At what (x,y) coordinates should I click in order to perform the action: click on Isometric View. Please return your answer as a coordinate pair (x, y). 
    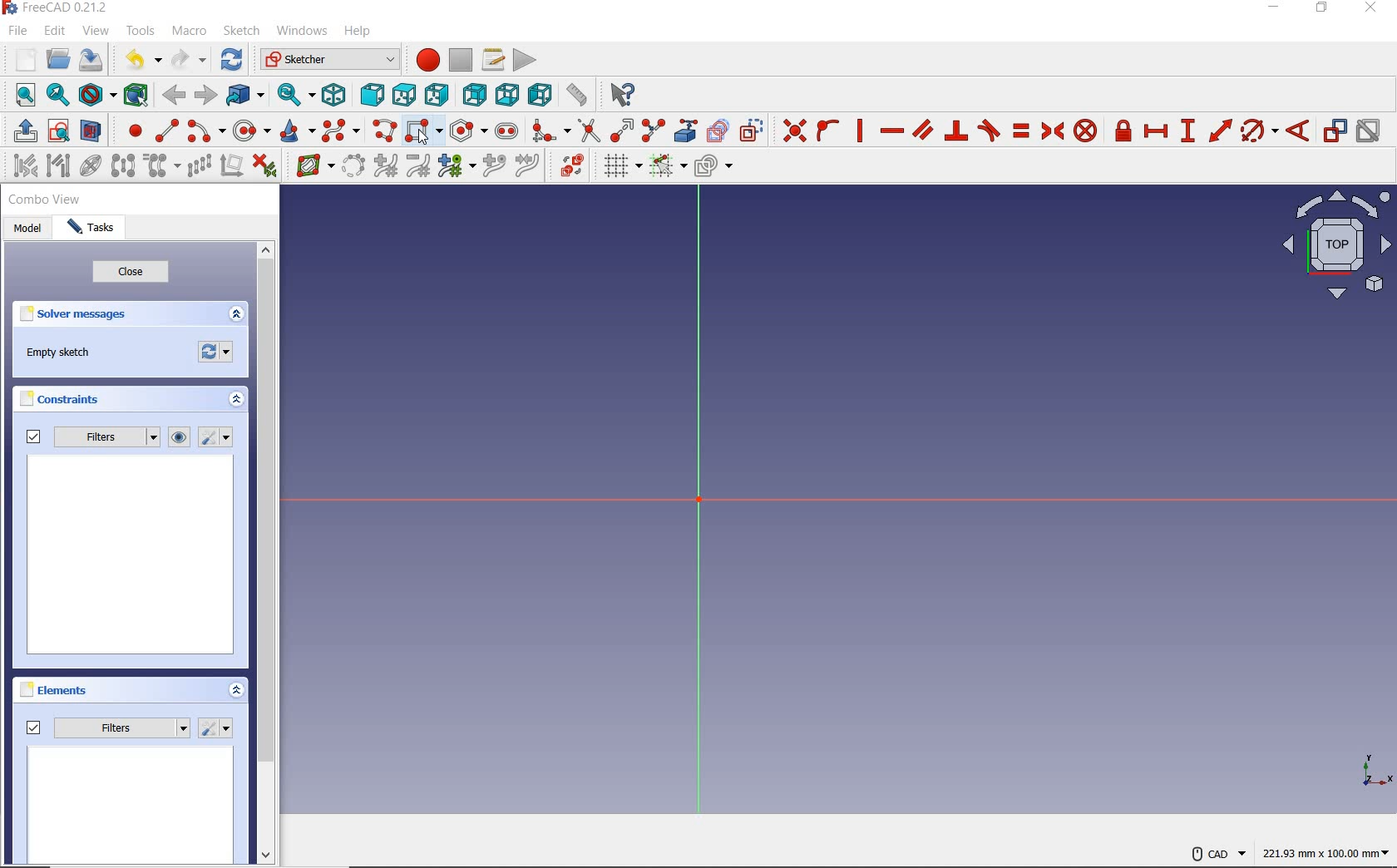
    Looking at the image, I should click on (1337, 248).